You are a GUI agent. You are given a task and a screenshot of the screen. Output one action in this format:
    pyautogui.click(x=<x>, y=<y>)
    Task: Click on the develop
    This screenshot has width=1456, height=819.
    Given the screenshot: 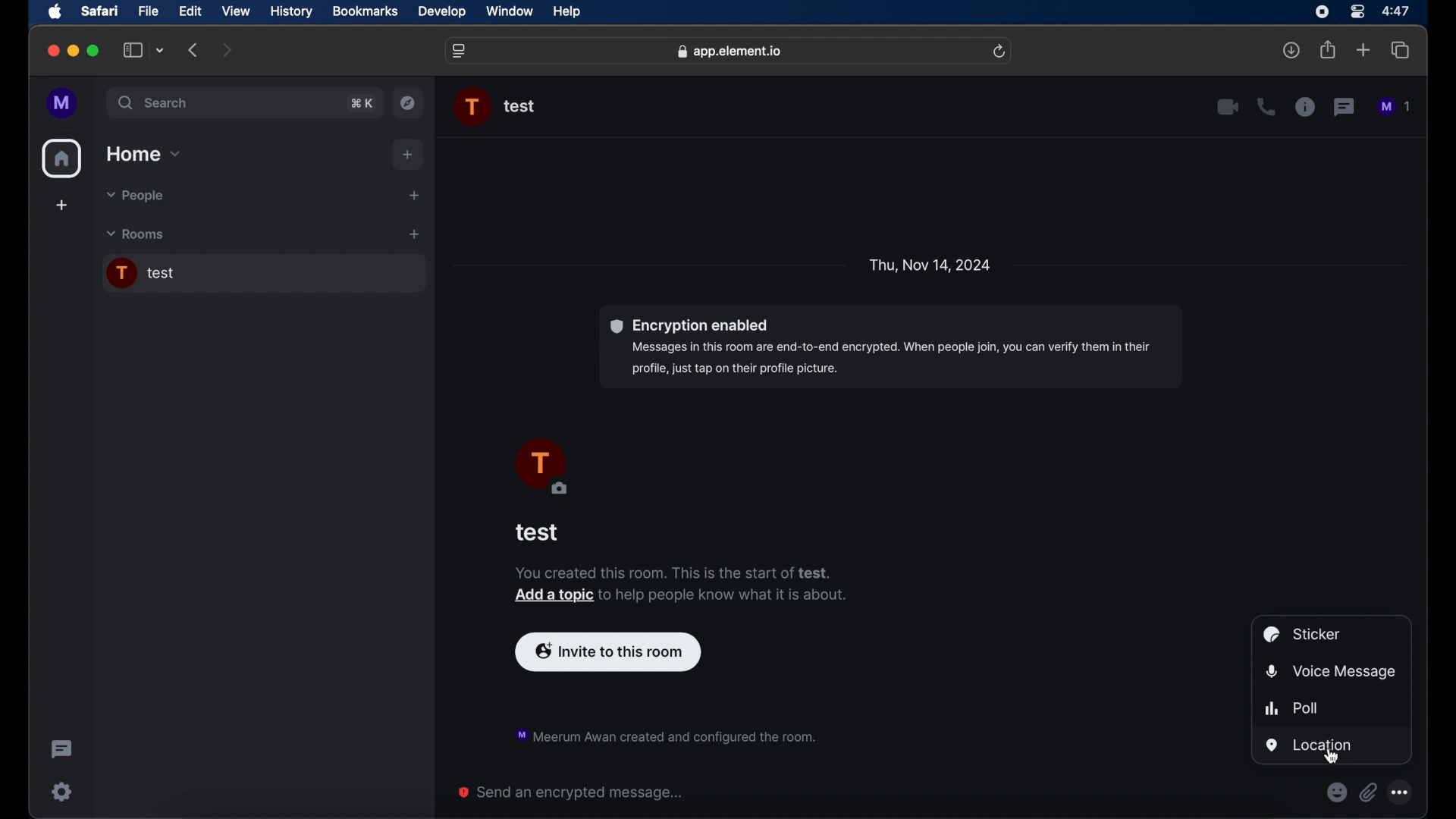 What is the action you would take?
    pyautogui.click(x=442, y=12)
    